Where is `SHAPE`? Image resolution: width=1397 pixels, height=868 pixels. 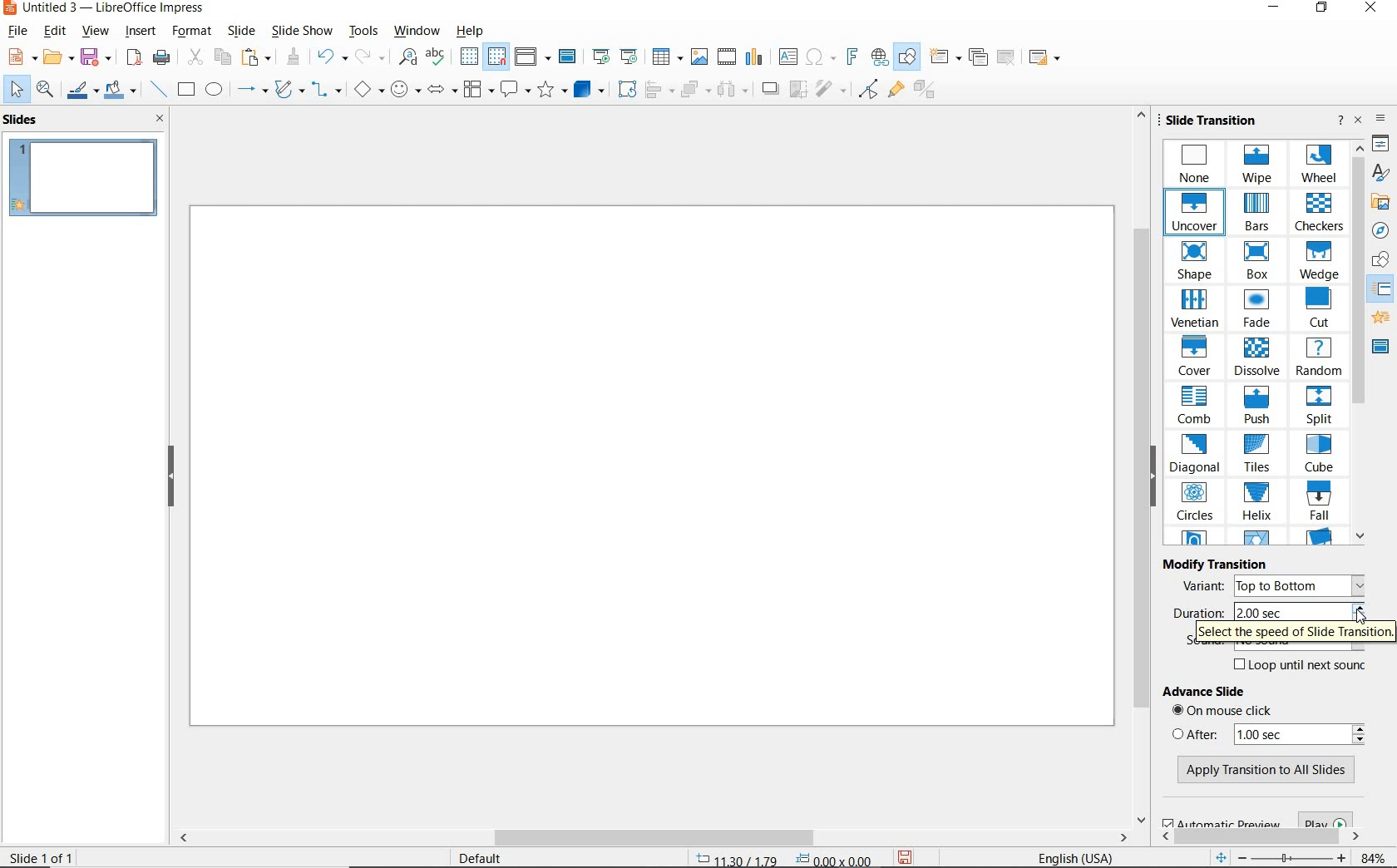 SHAPE is located at coordinates (1195, 261).